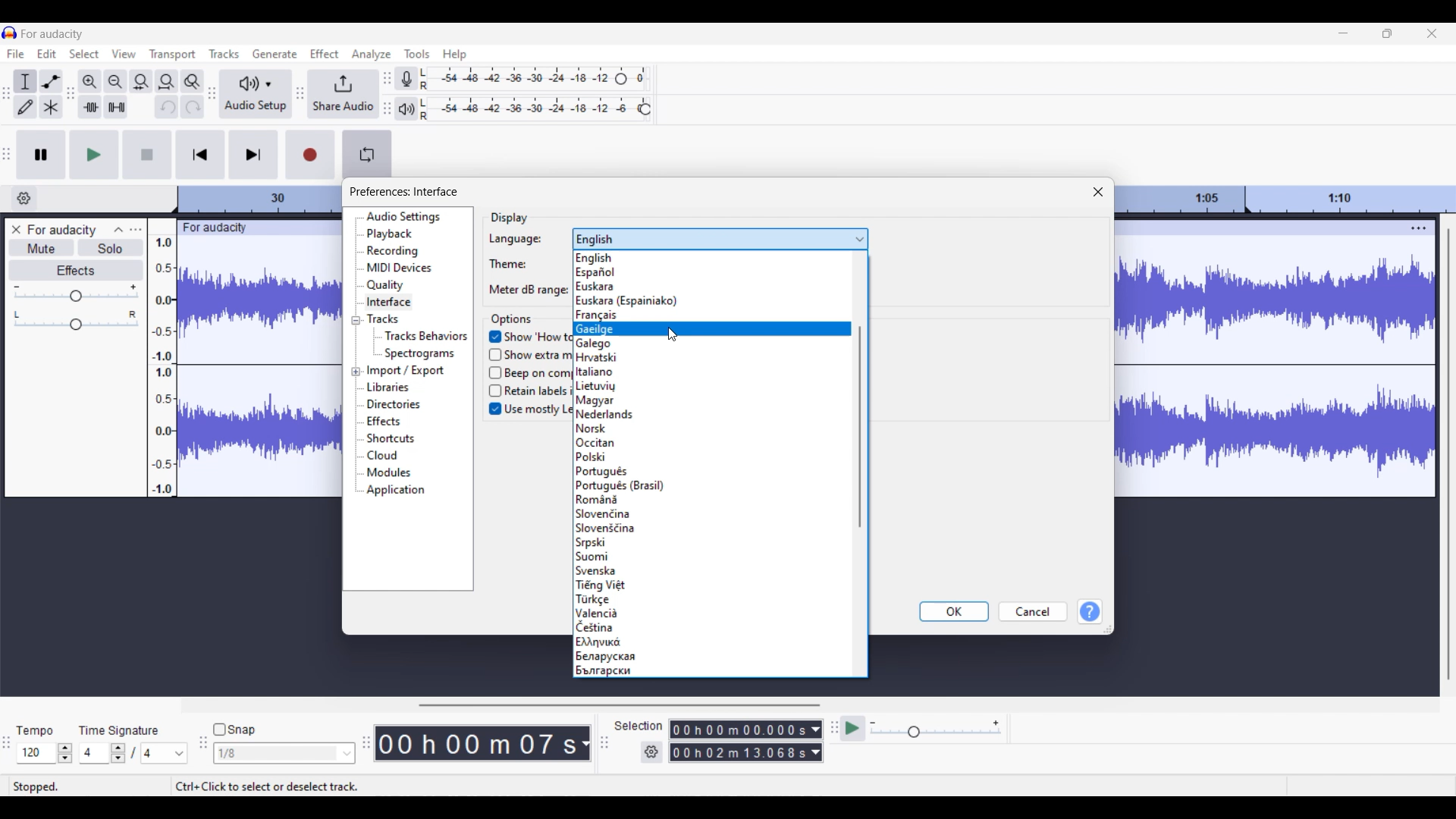 This screenshot has height=819, width=1456. What do you see at coordinates (597, 315) in the screenshot?
I see `Francais` at bounding box center [597, 315].